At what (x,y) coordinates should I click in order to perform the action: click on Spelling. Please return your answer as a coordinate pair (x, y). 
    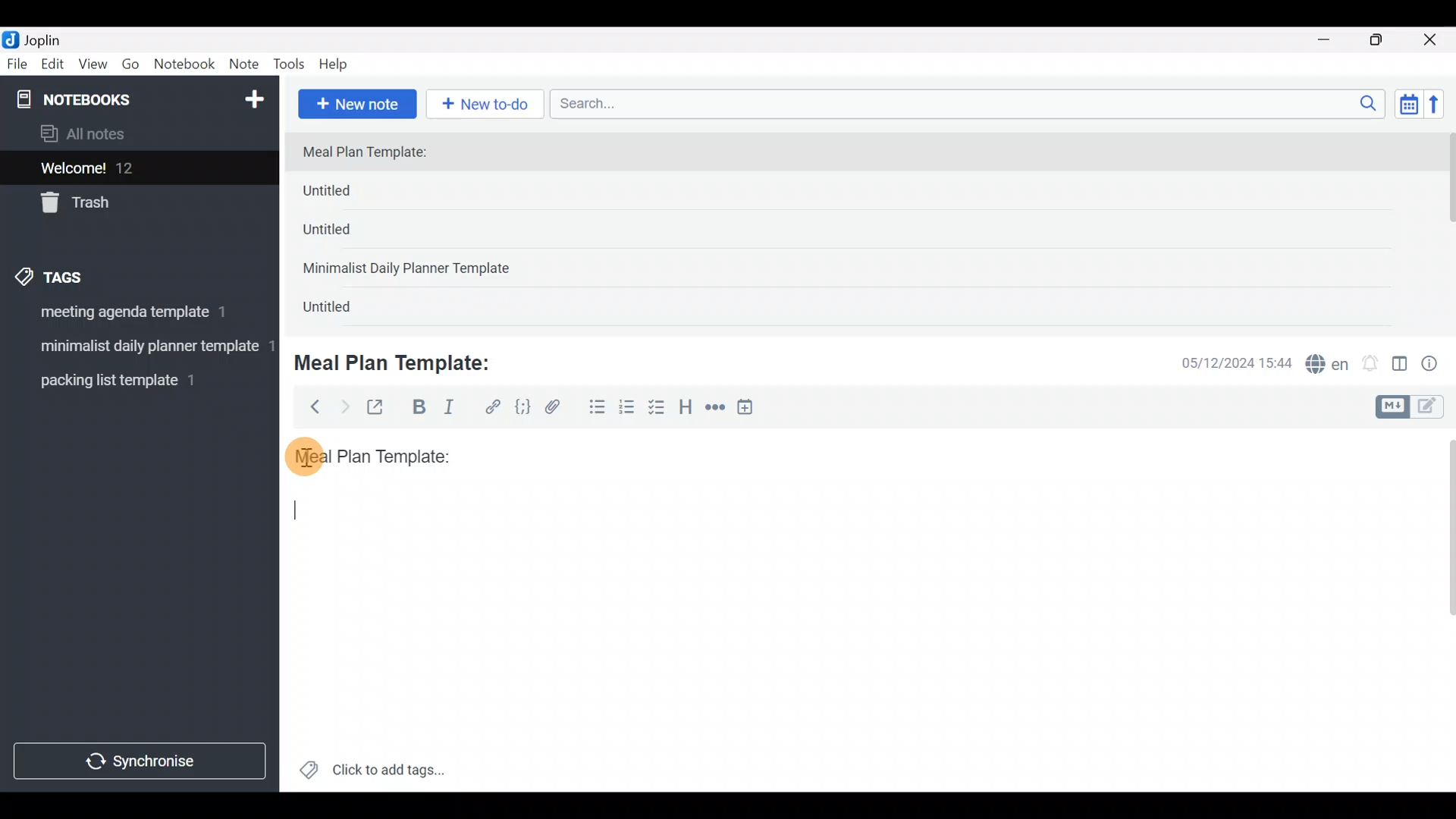
    Looking at the image, I should click on (1328, 366).